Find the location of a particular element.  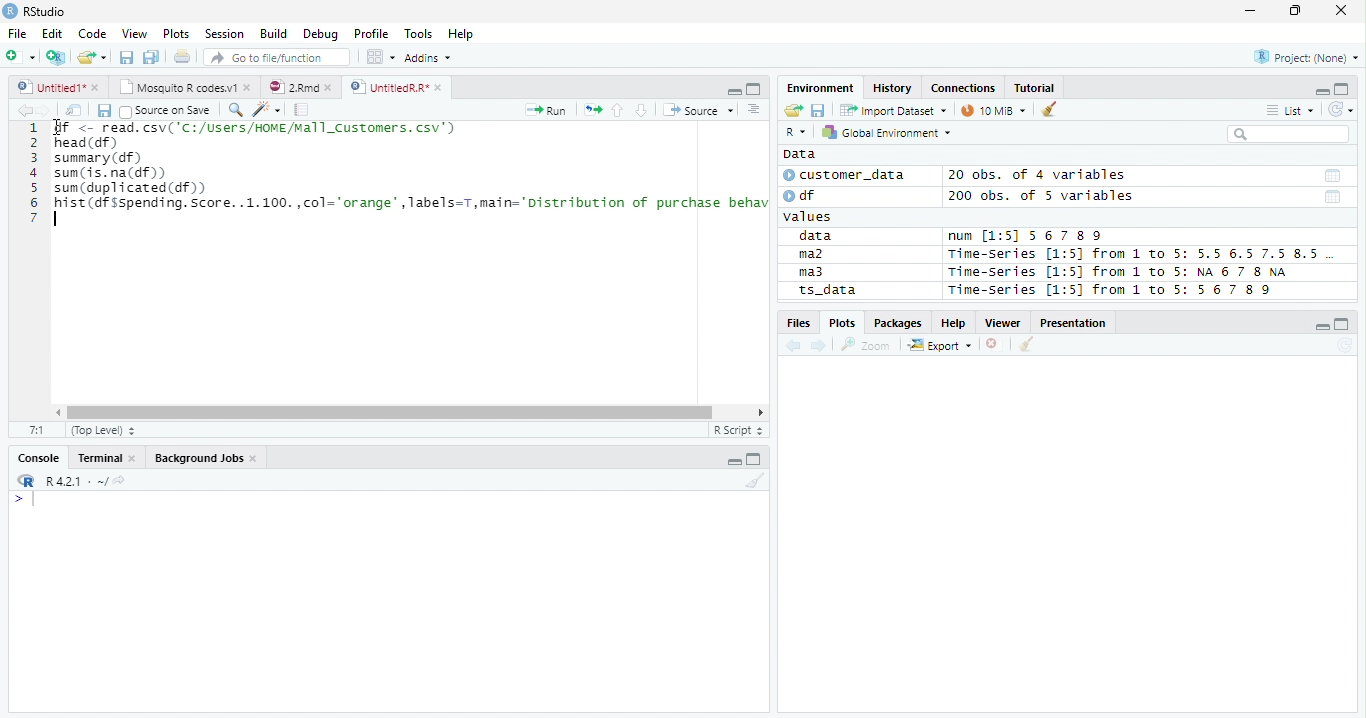

Profile is located at coordinates (370, 34).